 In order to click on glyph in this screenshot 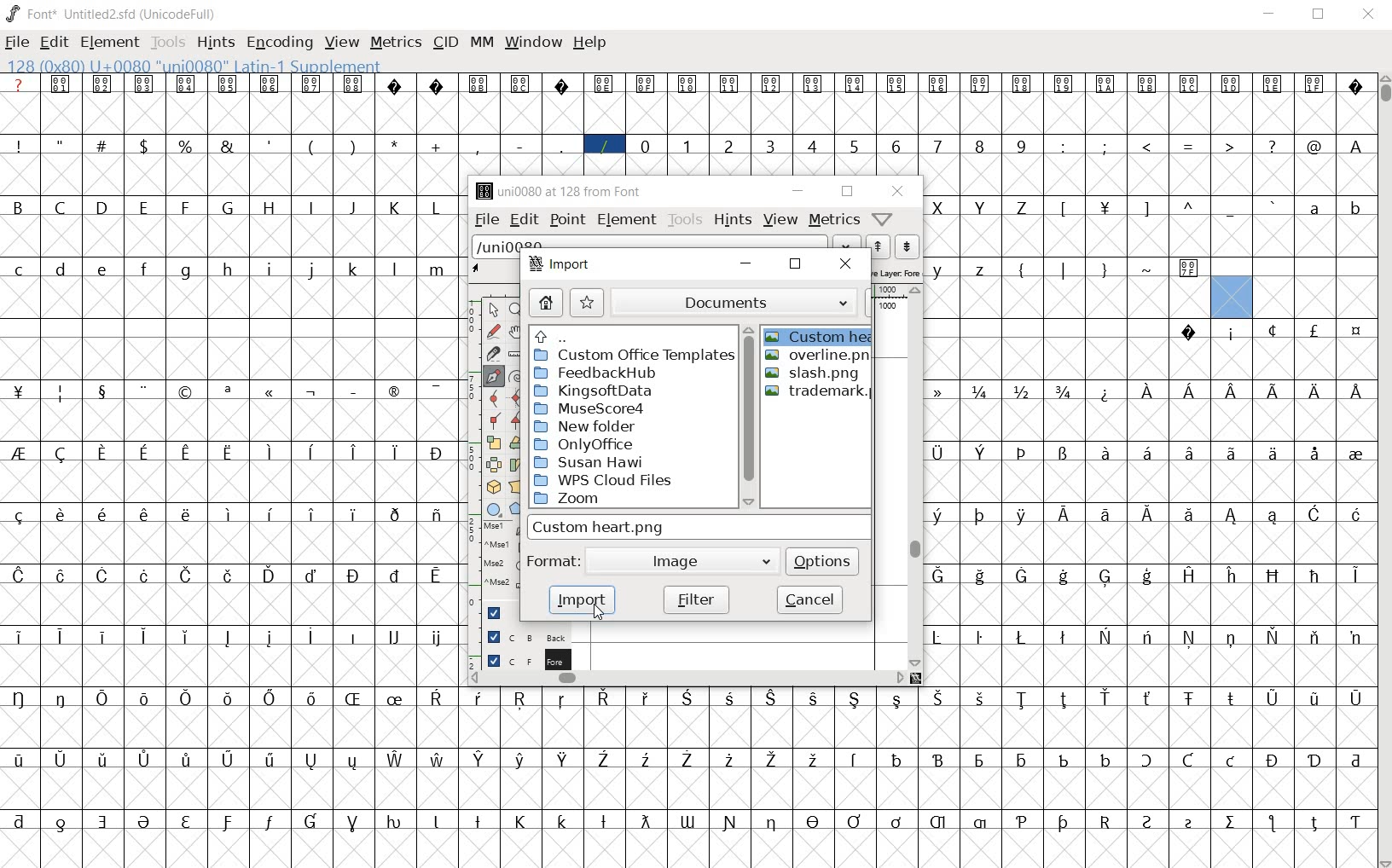, I will do `click(102, 576)`.